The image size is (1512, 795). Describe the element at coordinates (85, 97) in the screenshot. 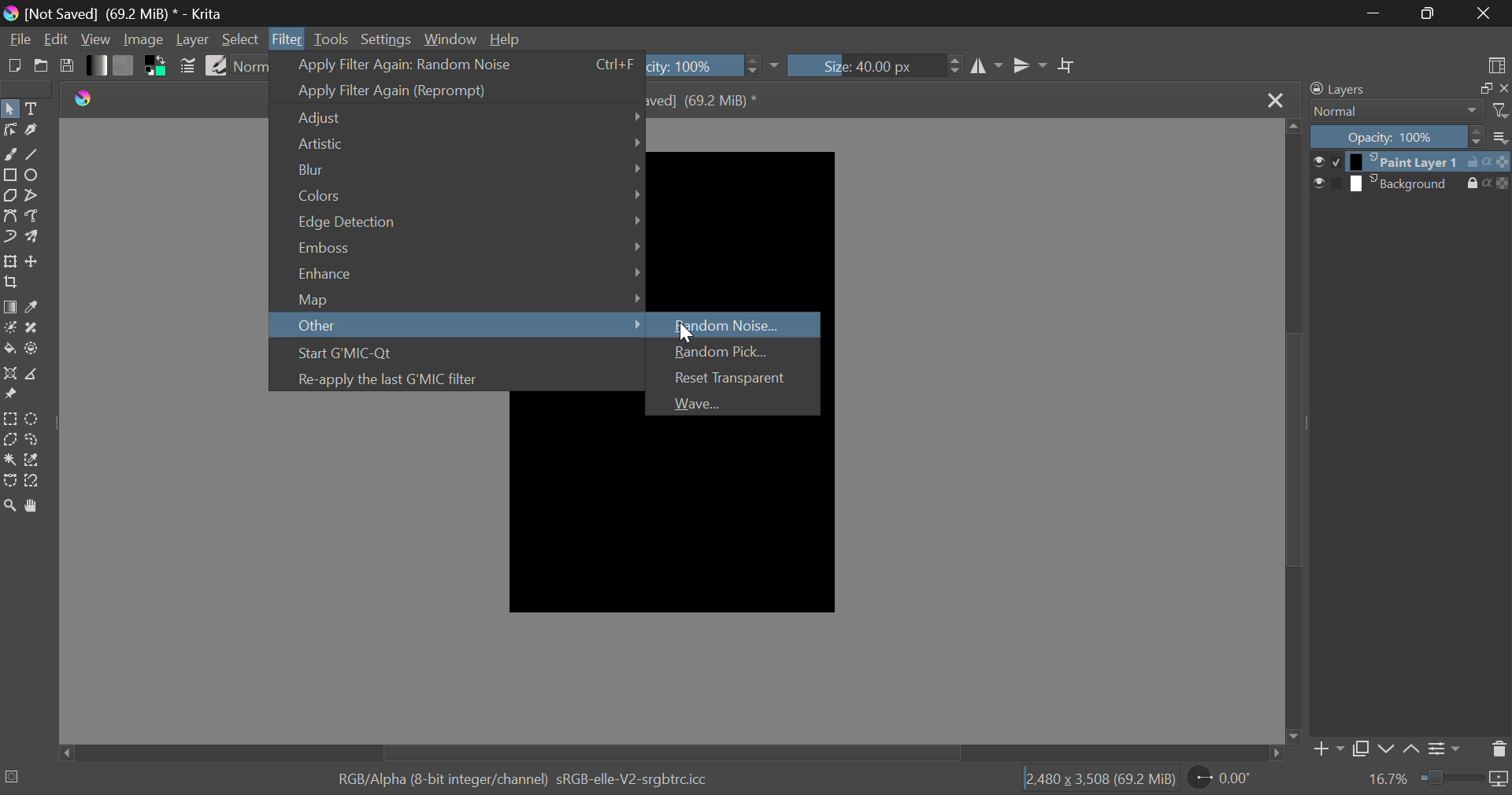

I see `Krita Logo` at that location.